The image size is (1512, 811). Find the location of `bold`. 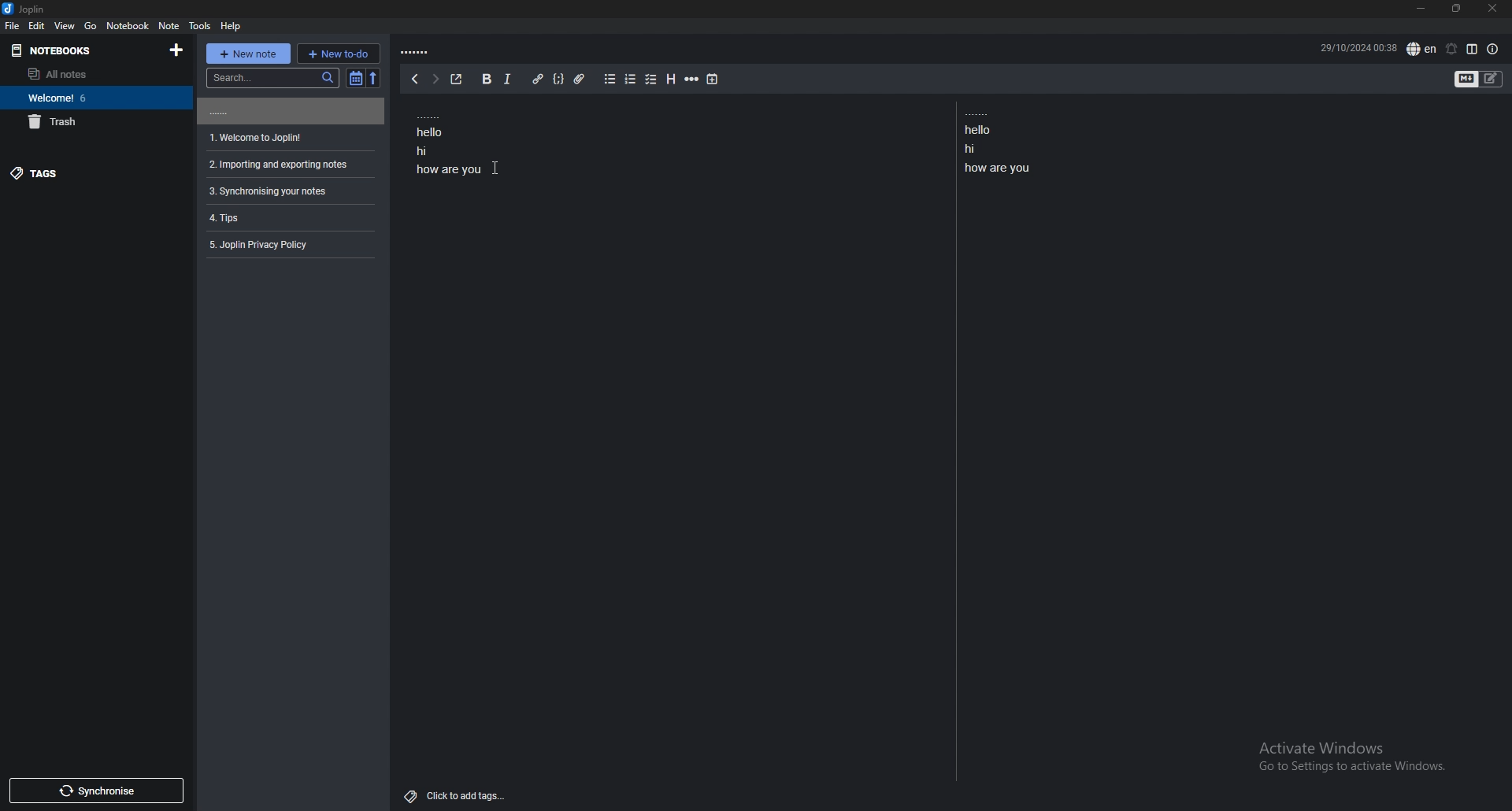

bold is located at coordinates (486, 79).